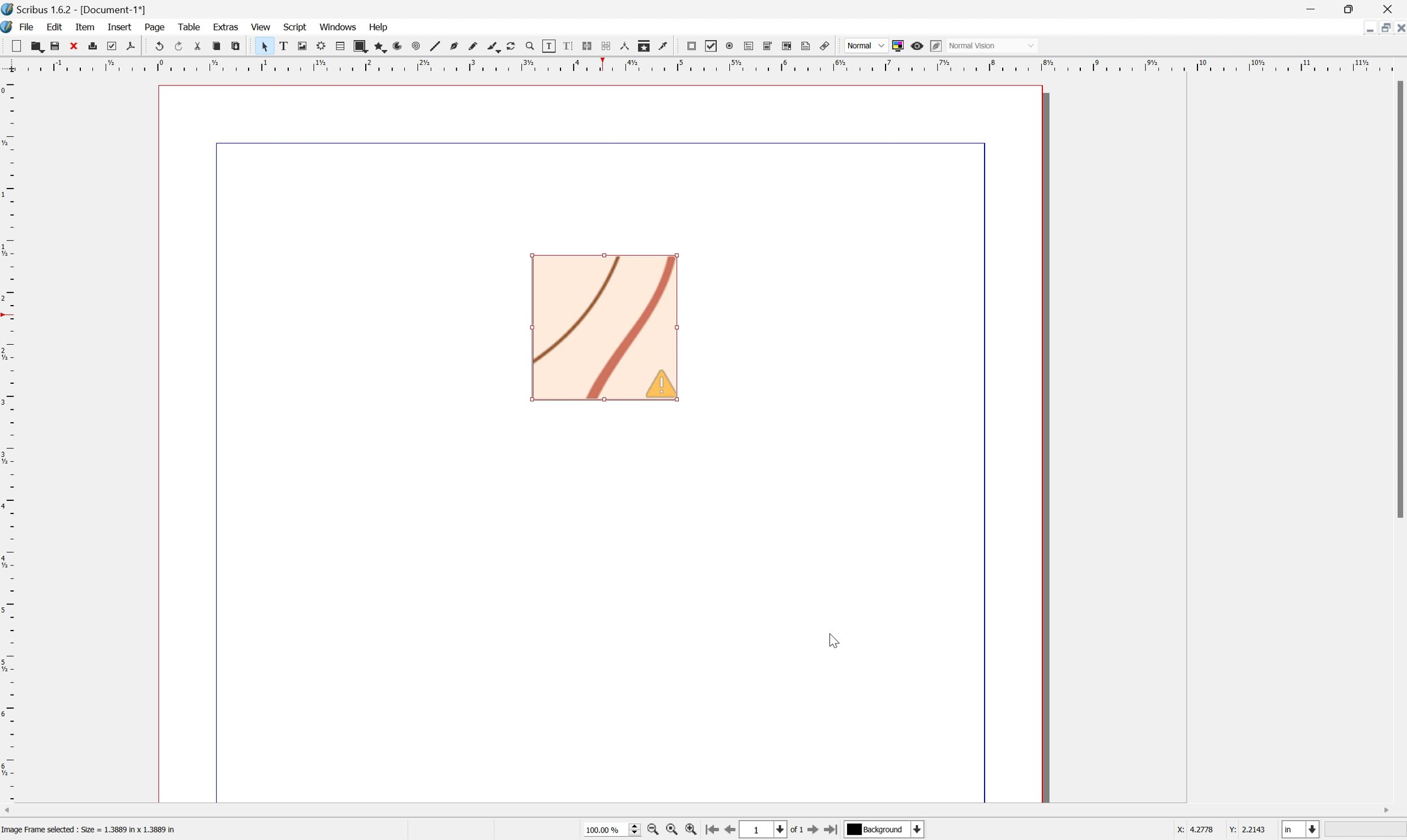 This screenshot has width=1407, height=840. What do you see at coordinates (588, 45) in the screenshot?
I see `Line text frames` at bounding box center [588, 45].